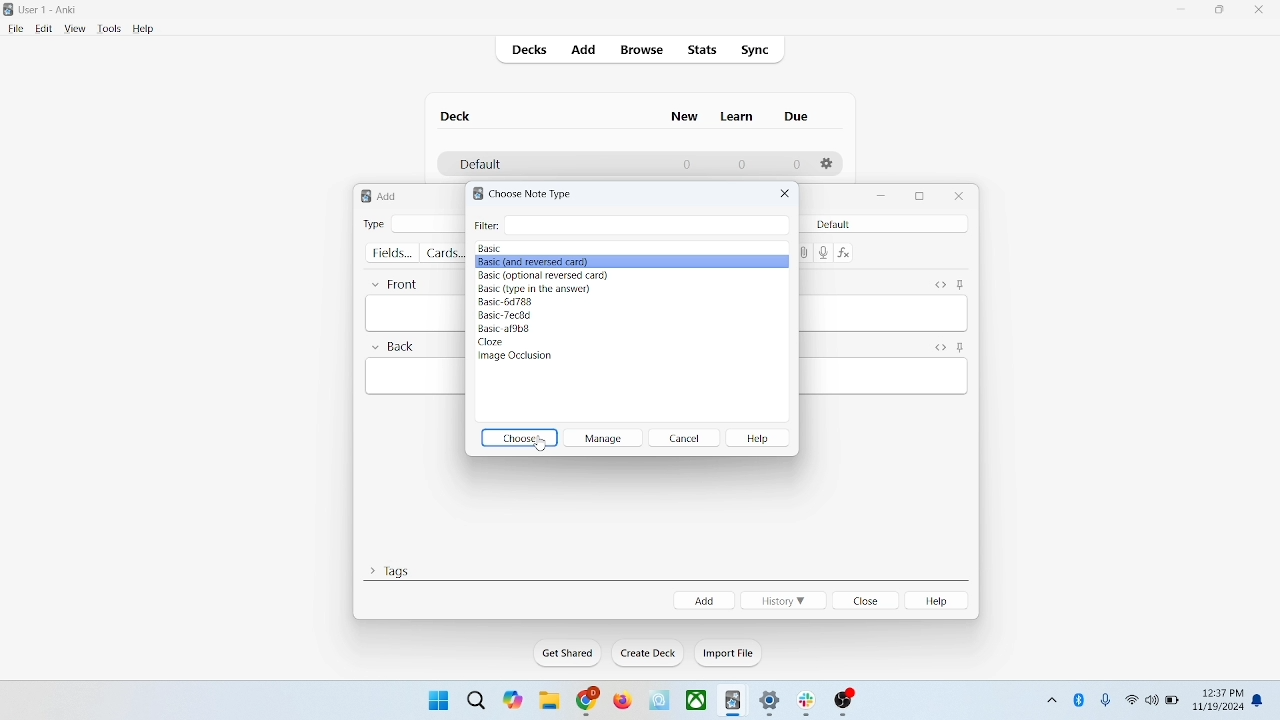 The height and width of the screenshot is (720, 1280). I want to click on maximize, so click(920, 197).